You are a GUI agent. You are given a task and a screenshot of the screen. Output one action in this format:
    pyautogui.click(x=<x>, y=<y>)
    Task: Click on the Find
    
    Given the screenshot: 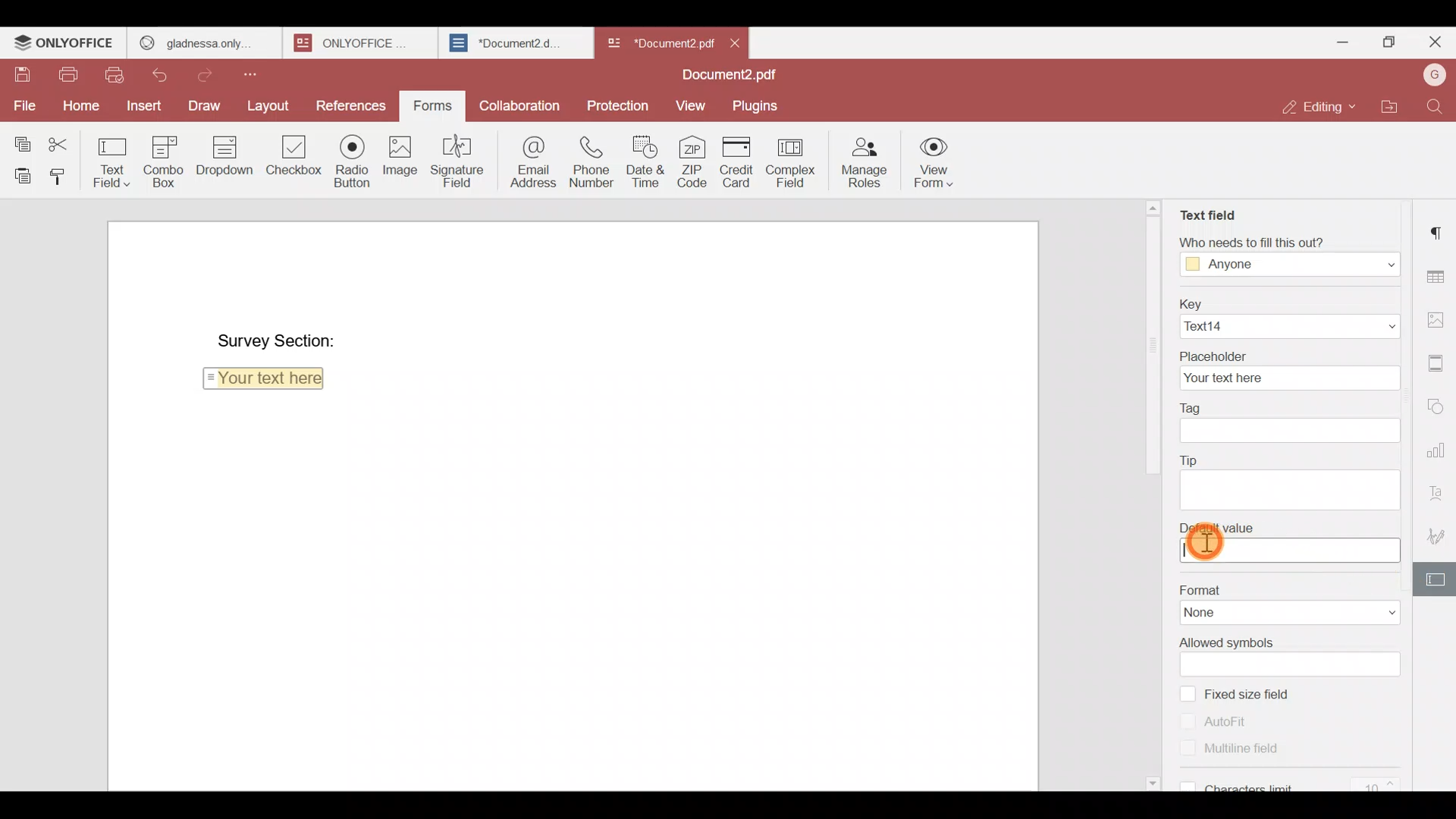 What is the action you would take?
    pyautogui.click(x=1439, y=107)
    